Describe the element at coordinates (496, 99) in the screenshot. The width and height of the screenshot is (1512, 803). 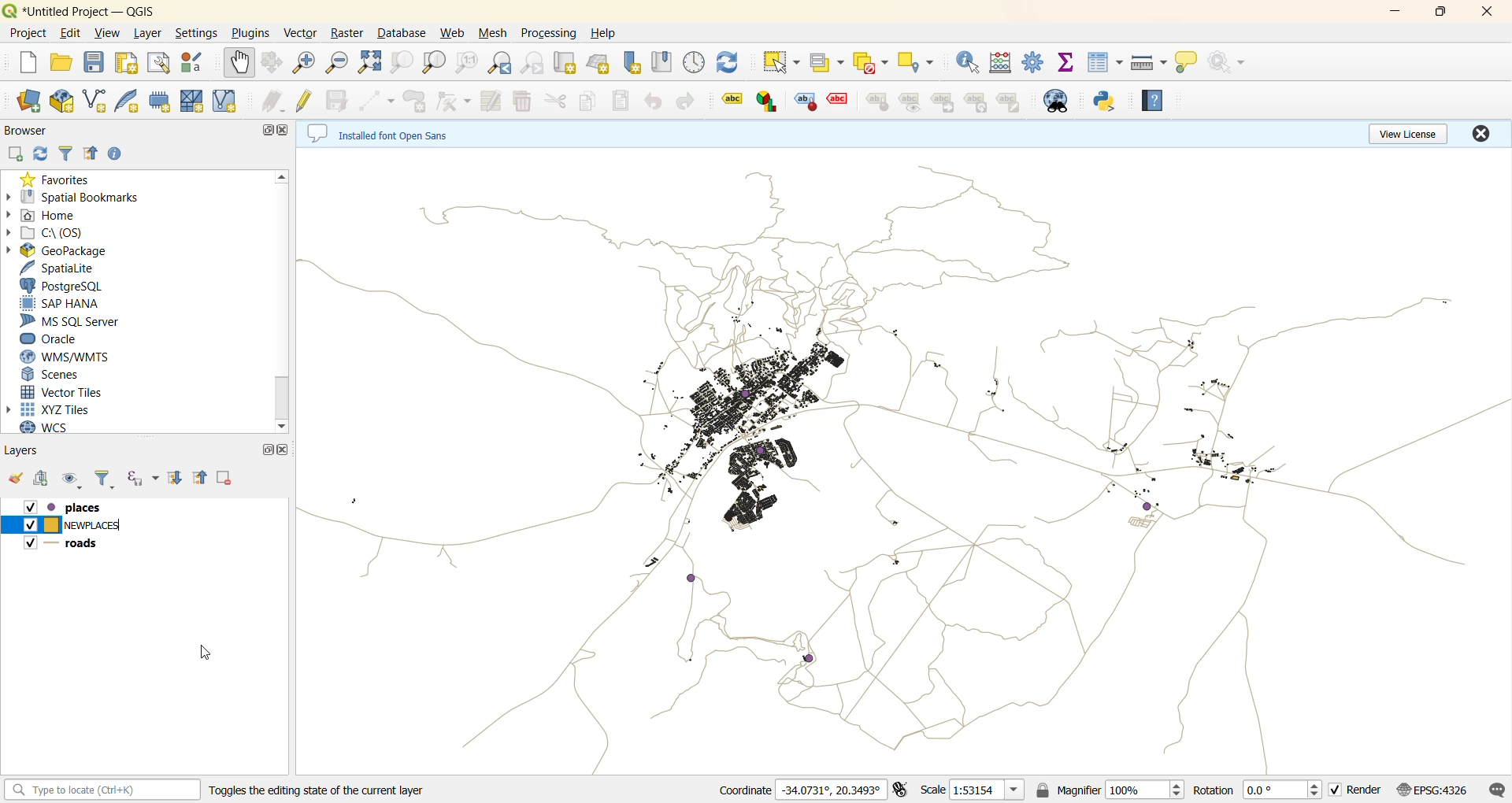
I see `modify` at that location.